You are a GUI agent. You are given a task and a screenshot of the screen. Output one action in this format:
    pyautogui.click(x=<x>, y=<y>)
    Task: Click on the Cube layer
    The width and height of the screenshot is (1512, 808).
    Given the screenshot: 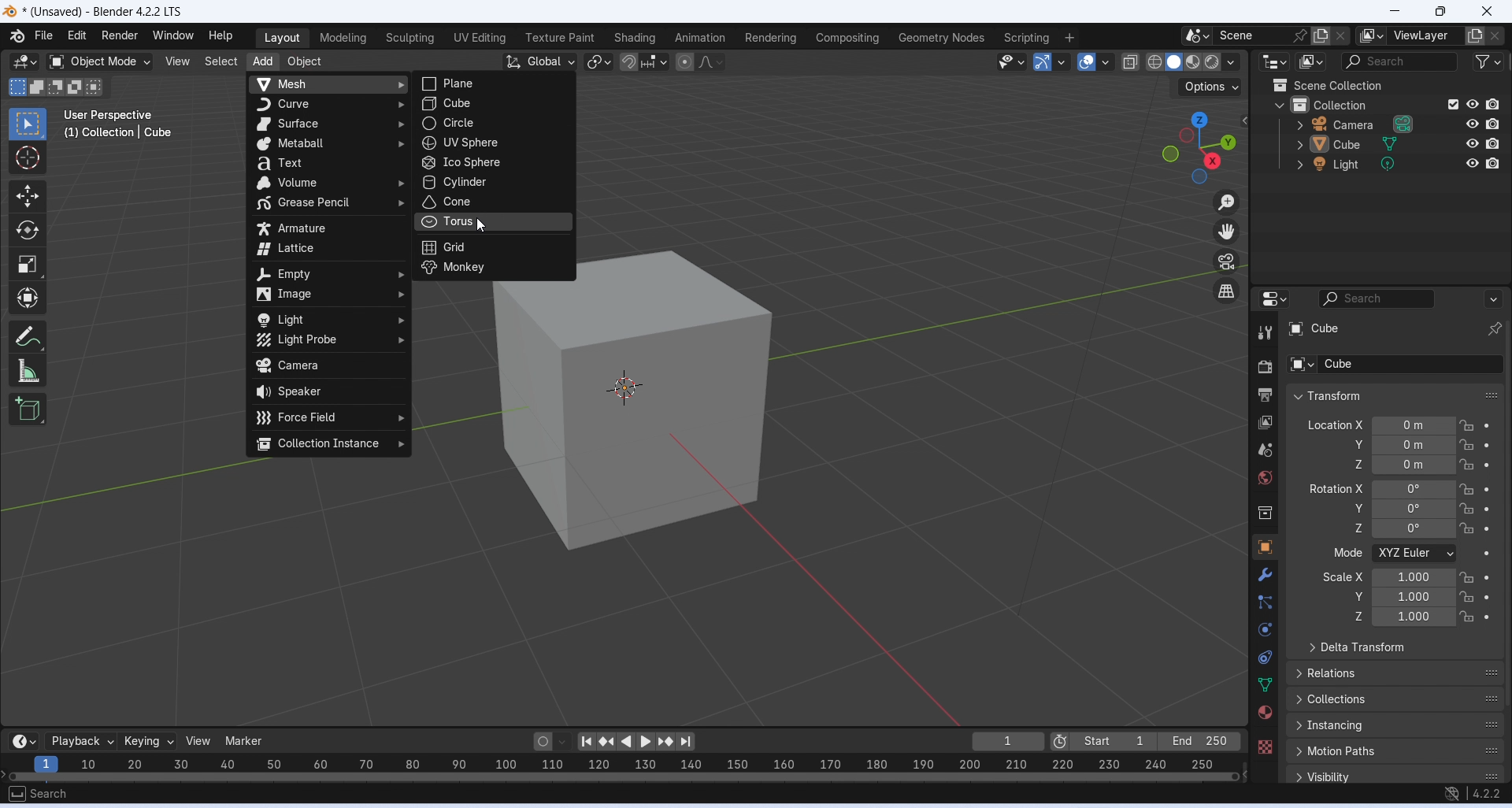 What is the action you would take?
    pyautogui.click(x=1396, y=143)
    